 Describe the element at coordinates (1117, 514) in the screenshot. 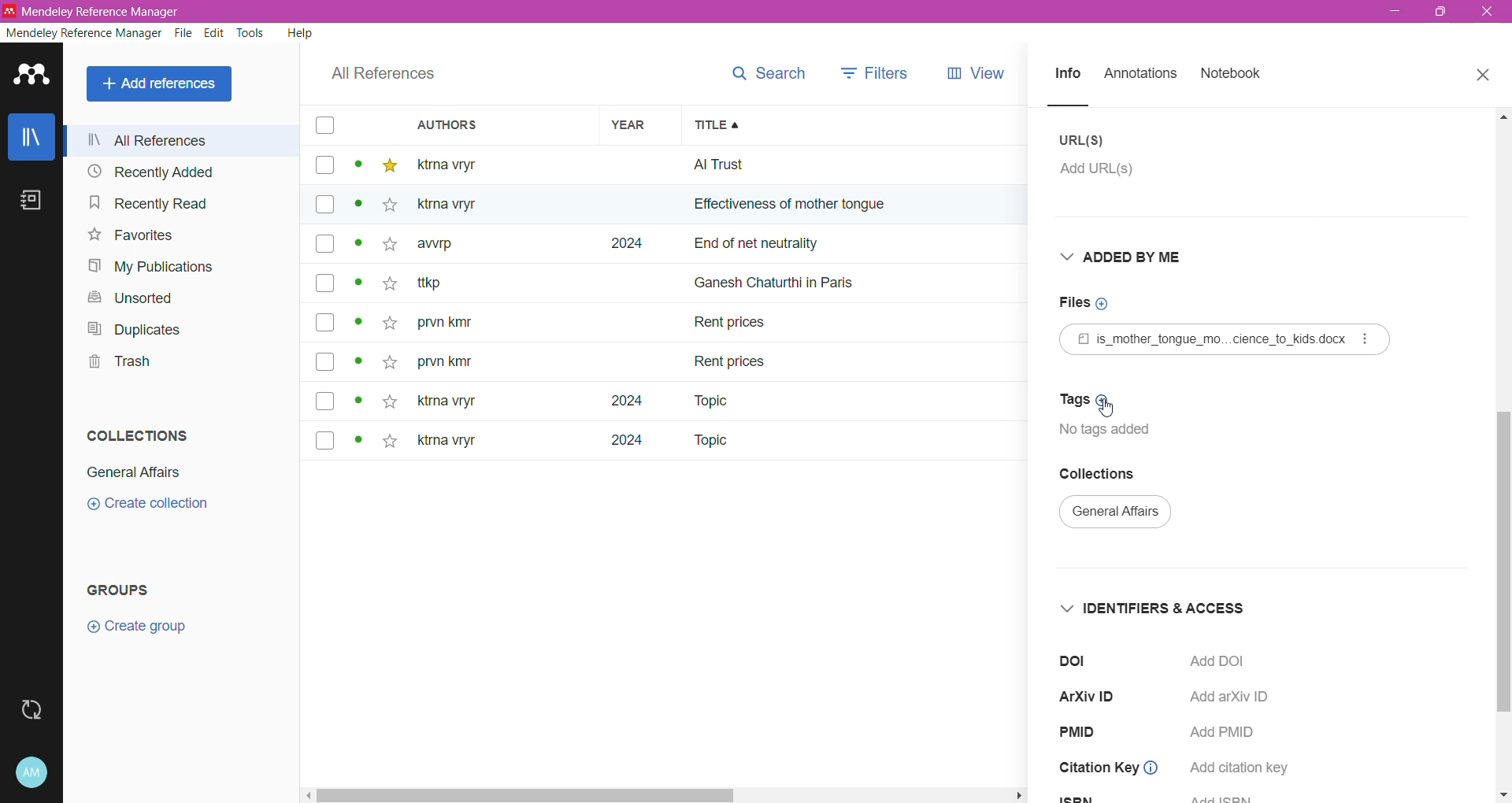

I see `Current Collection Name` at that location.